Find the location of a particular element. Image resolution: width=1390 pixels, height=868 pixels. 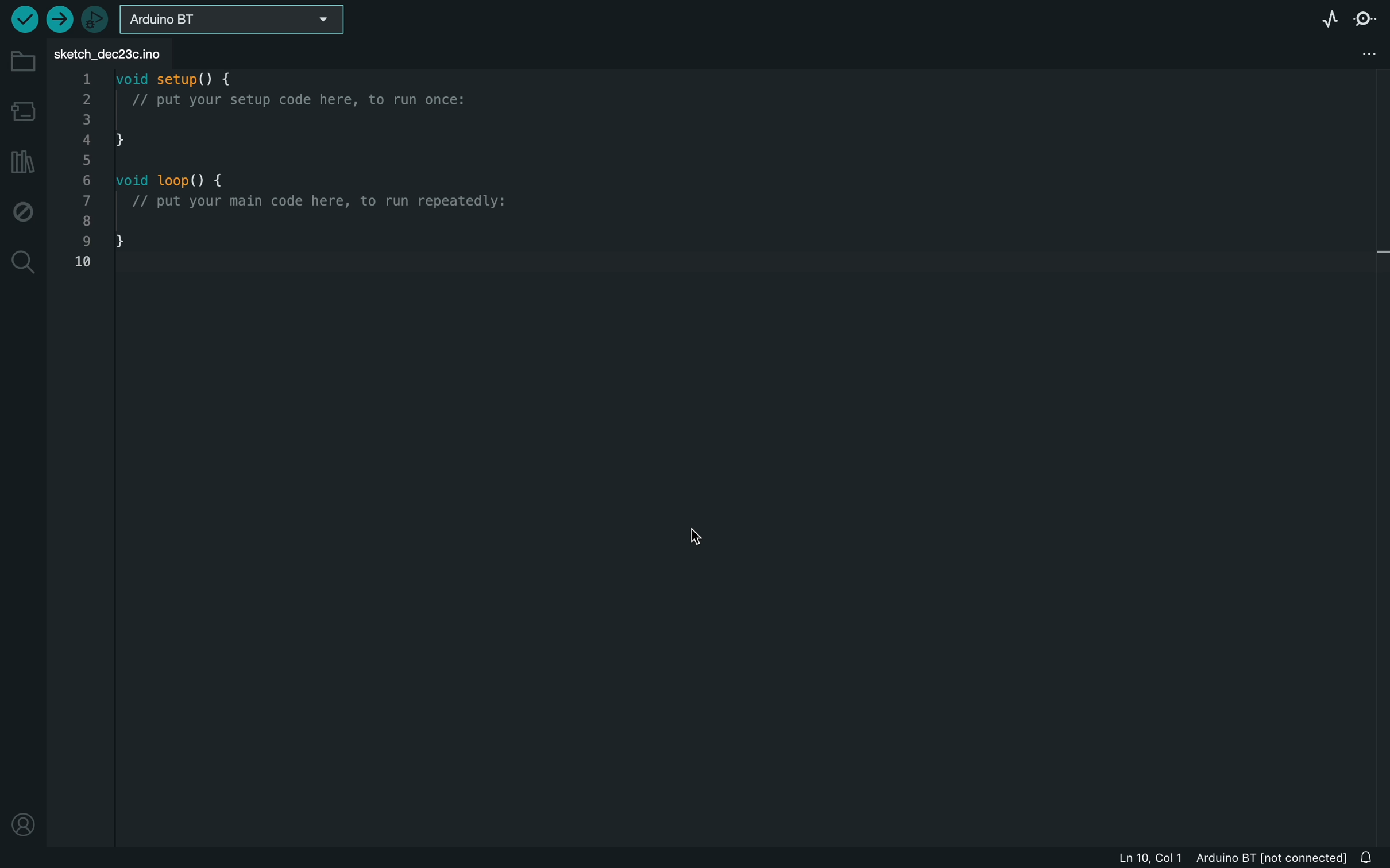

notification is located at coordinates (1373, 854).